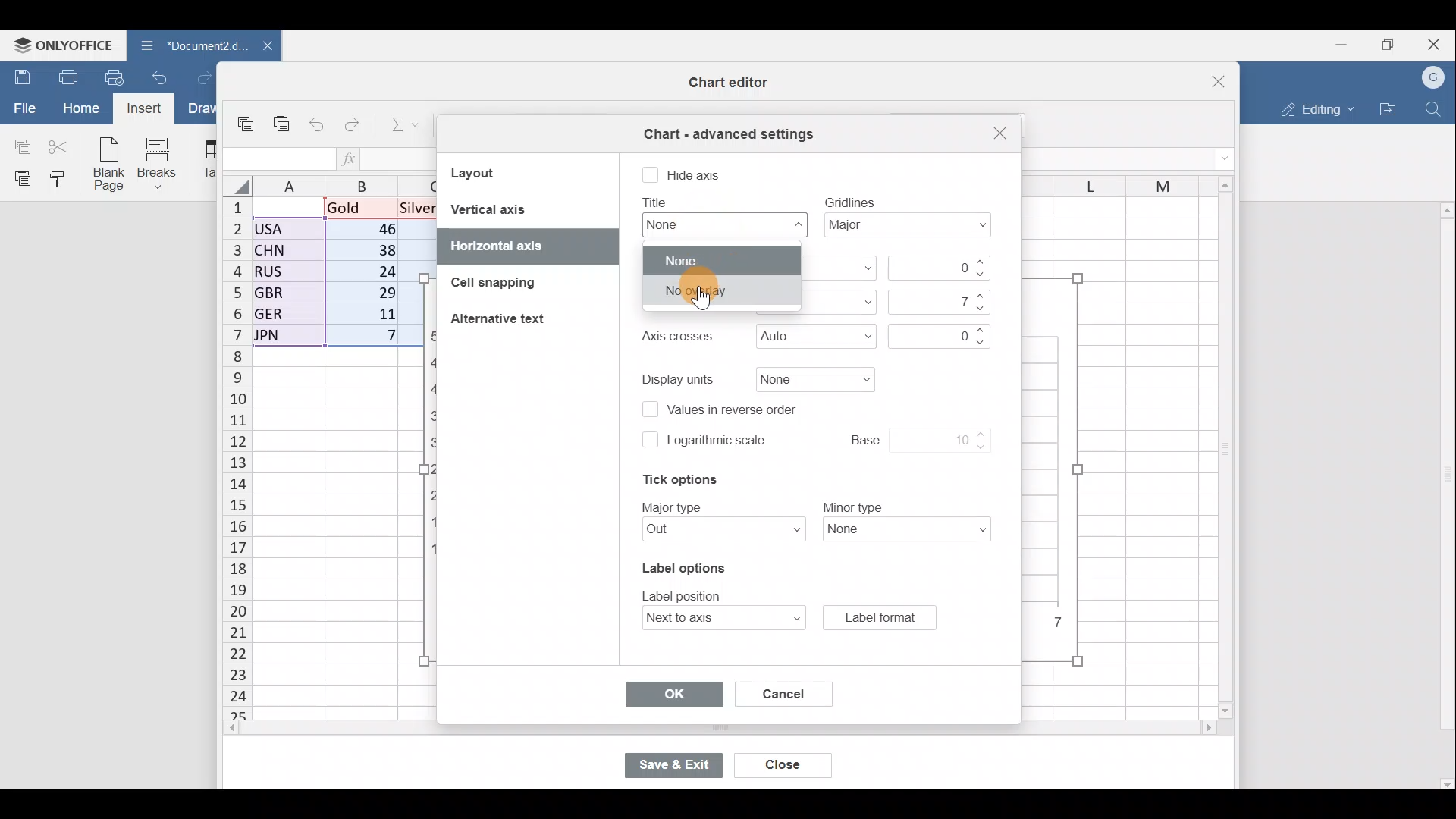 This screenshot has height=819, width=1456. I want to click on text, so click(850, 201).